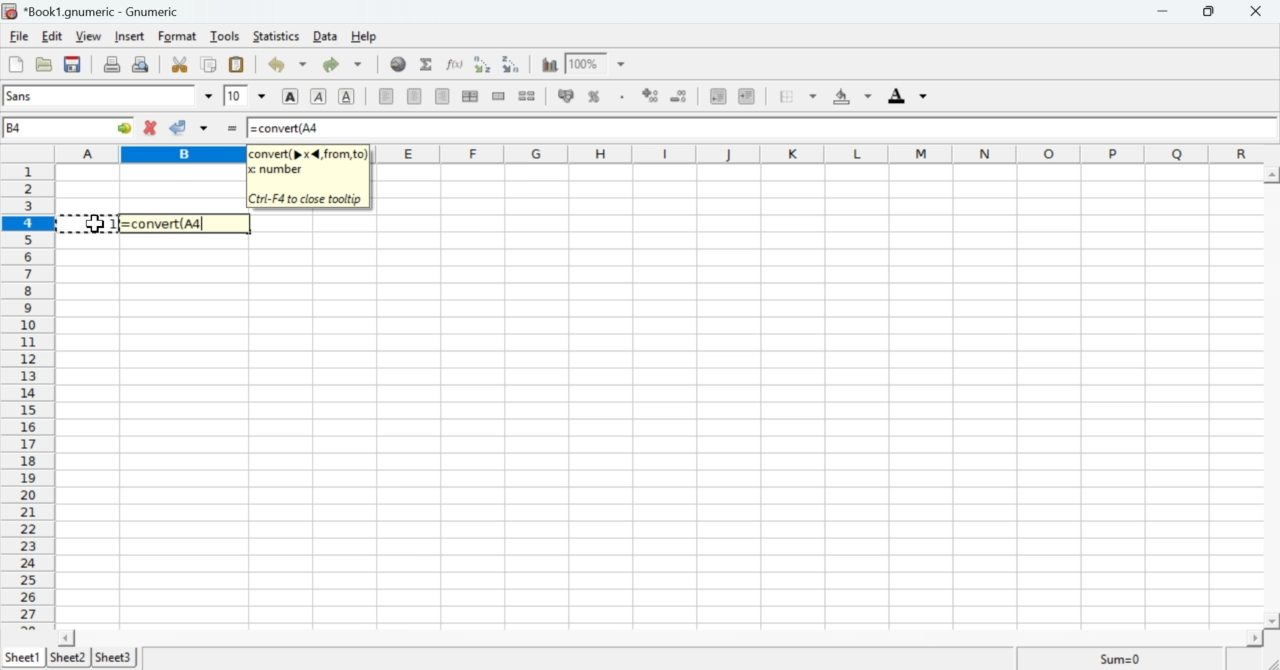 Image resolution: width=1280 pixels, height=670 pixels. I want to click on Format the selection as percentage., so click(597, 97).